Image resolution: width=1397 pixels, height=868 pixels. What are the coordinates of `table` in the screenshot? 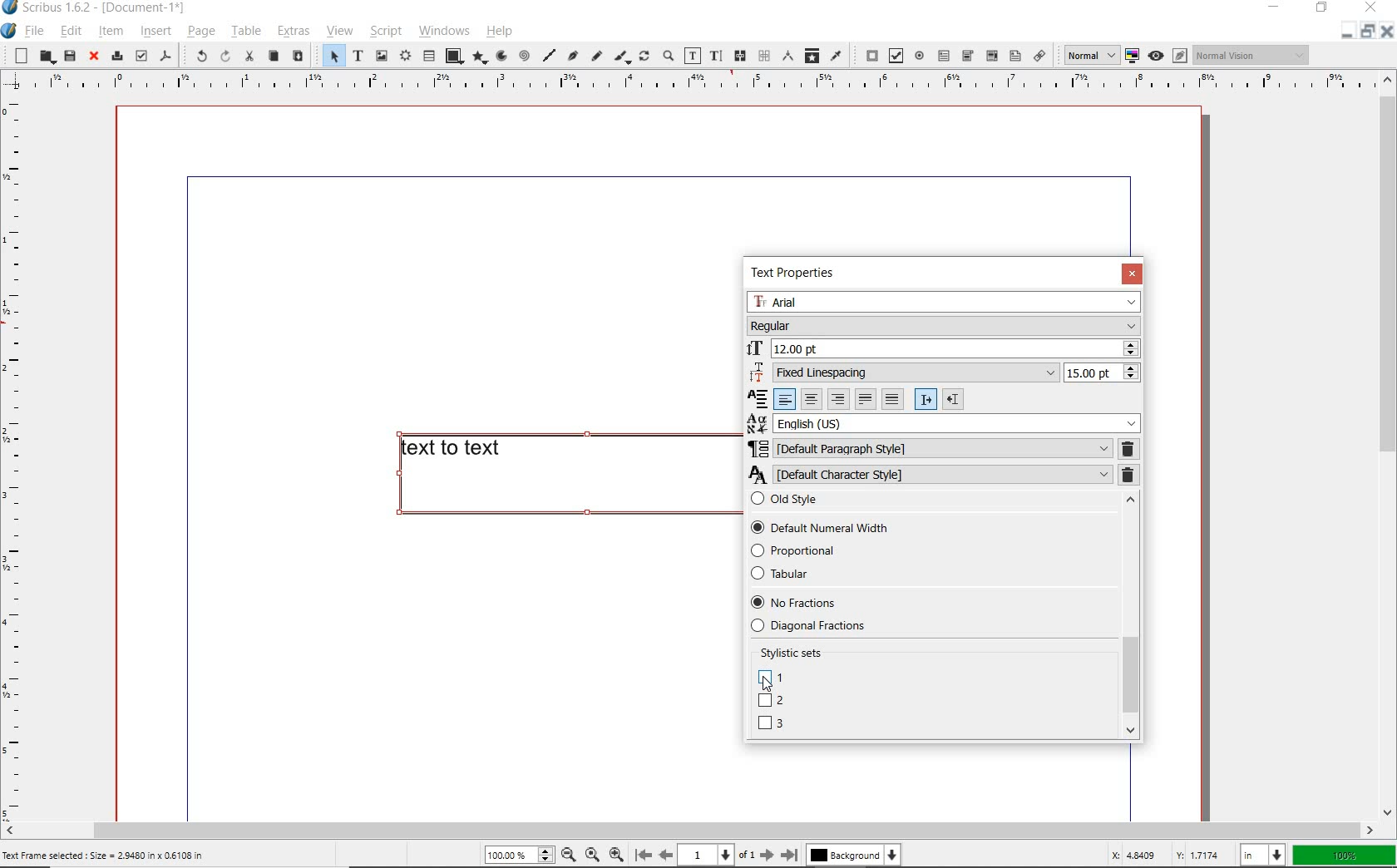 It's located at (429, 57).